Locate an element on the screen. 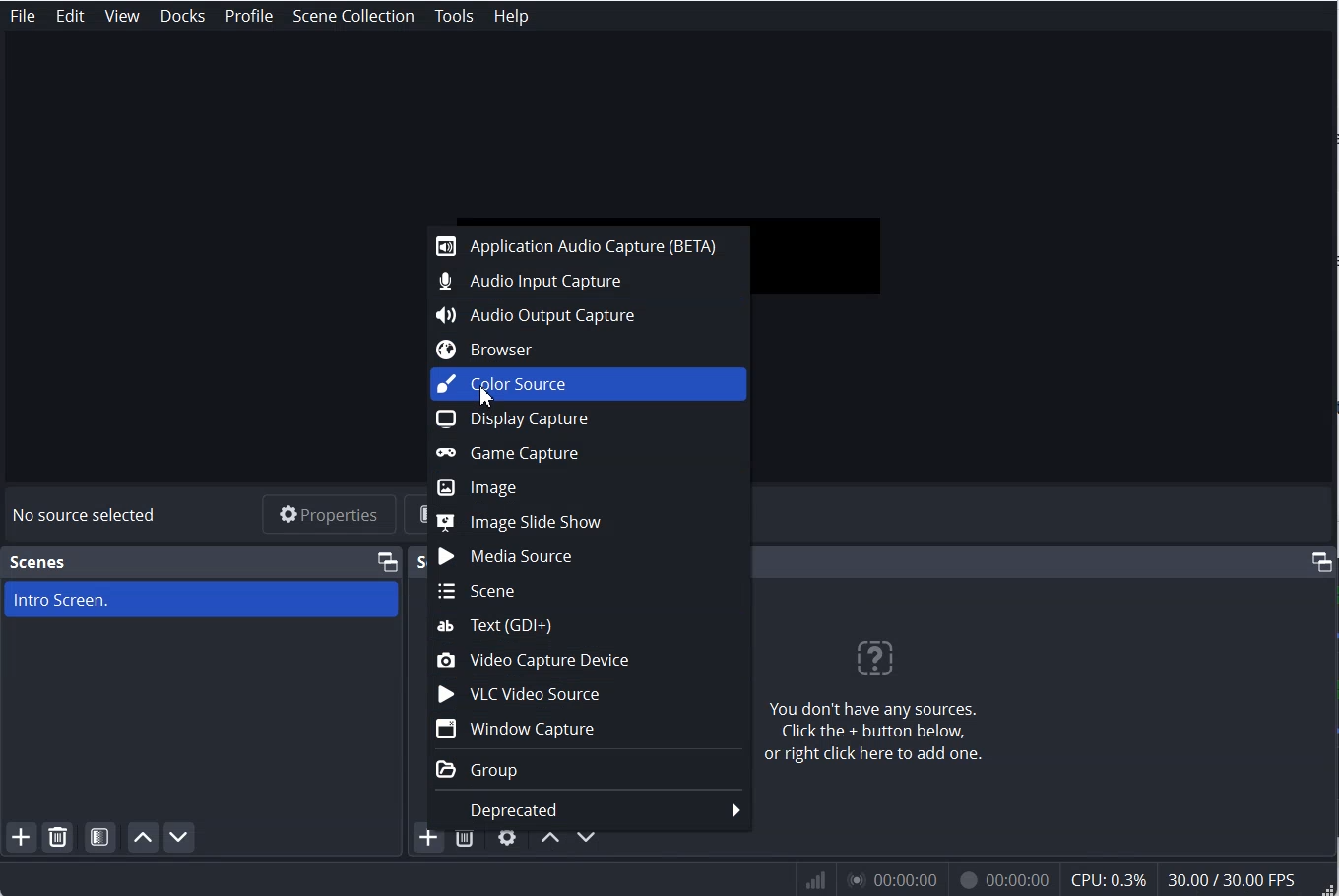  Edit is located at coordinates (71, 16).